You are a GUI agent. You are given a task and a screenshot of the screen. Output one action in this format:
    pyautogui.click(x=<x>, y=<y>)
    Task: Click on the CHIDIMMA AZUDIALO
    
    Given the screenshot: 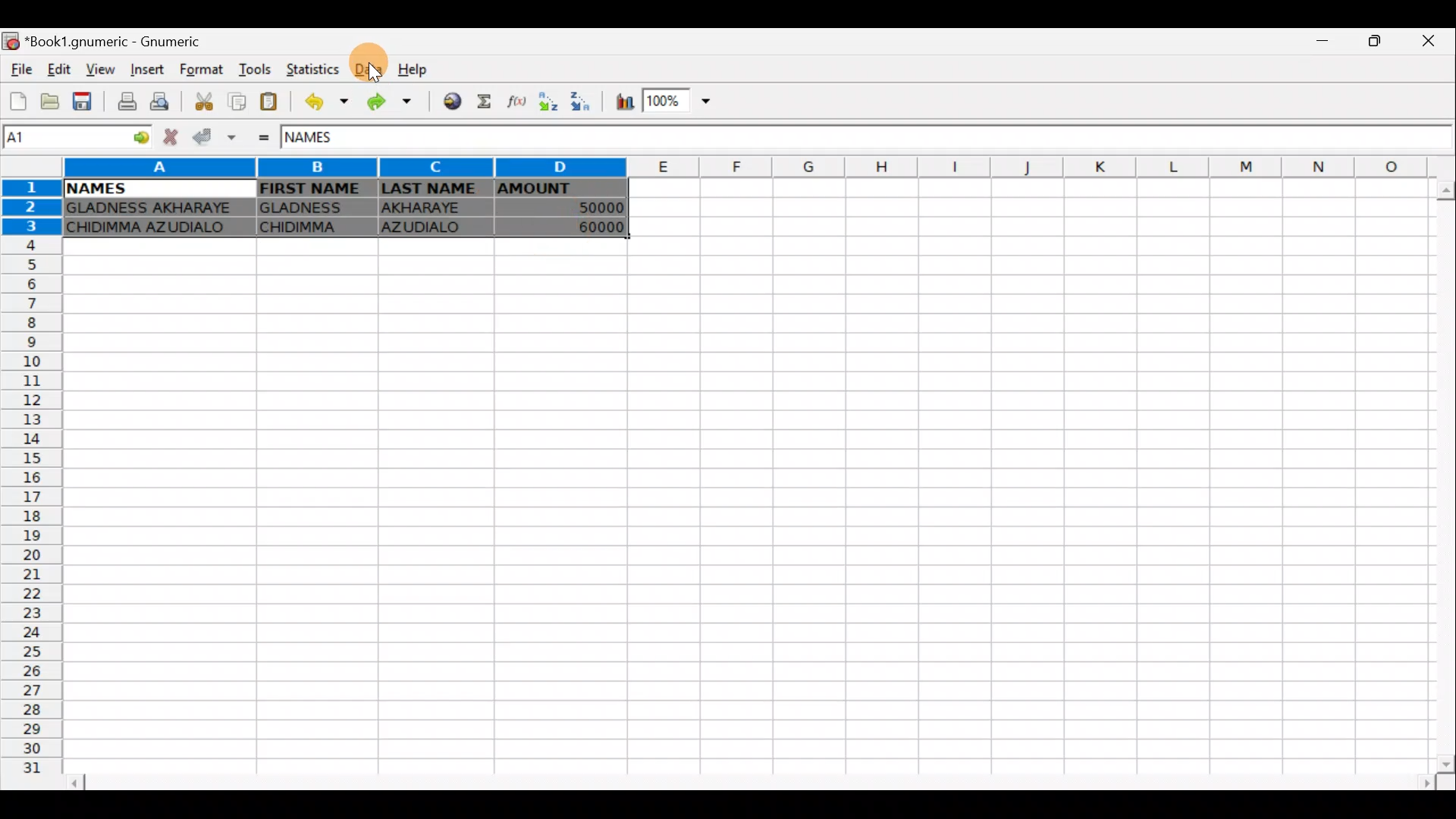 What is the action you would take?
    pyautogui.click(x=153, y=229)
    